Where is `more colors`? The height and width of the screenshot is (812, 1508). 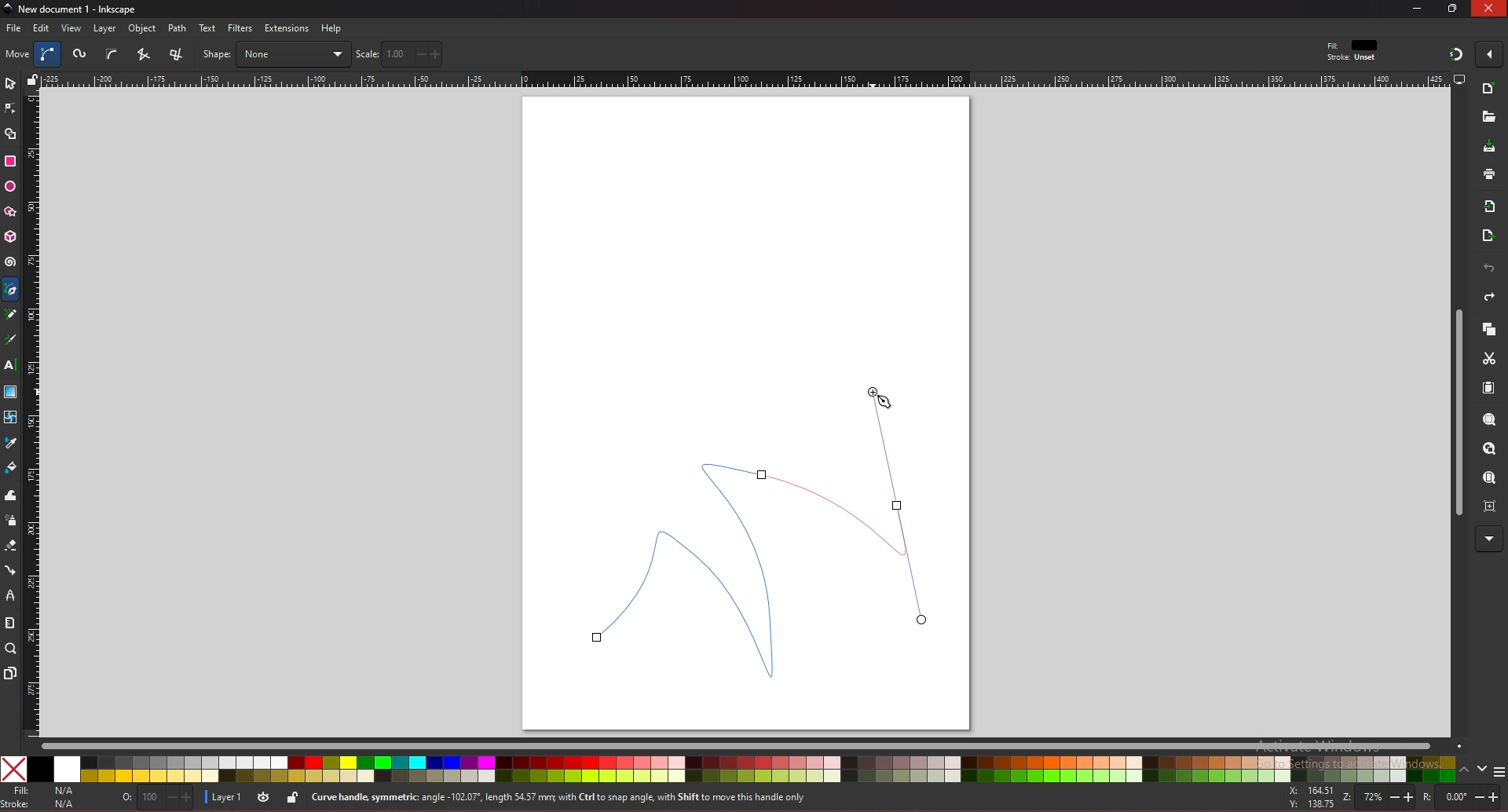 more colors is located at coordinates (1499, 773).